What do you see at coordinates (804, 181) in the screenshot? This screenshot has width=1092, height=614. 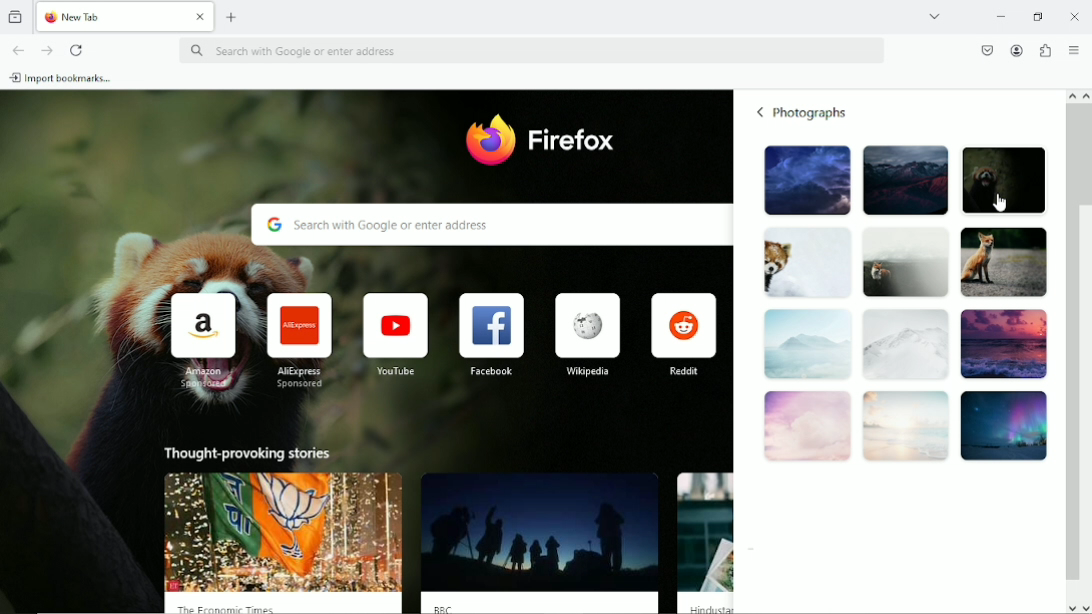 I see `Photograph` at bounding box center [804, 181].